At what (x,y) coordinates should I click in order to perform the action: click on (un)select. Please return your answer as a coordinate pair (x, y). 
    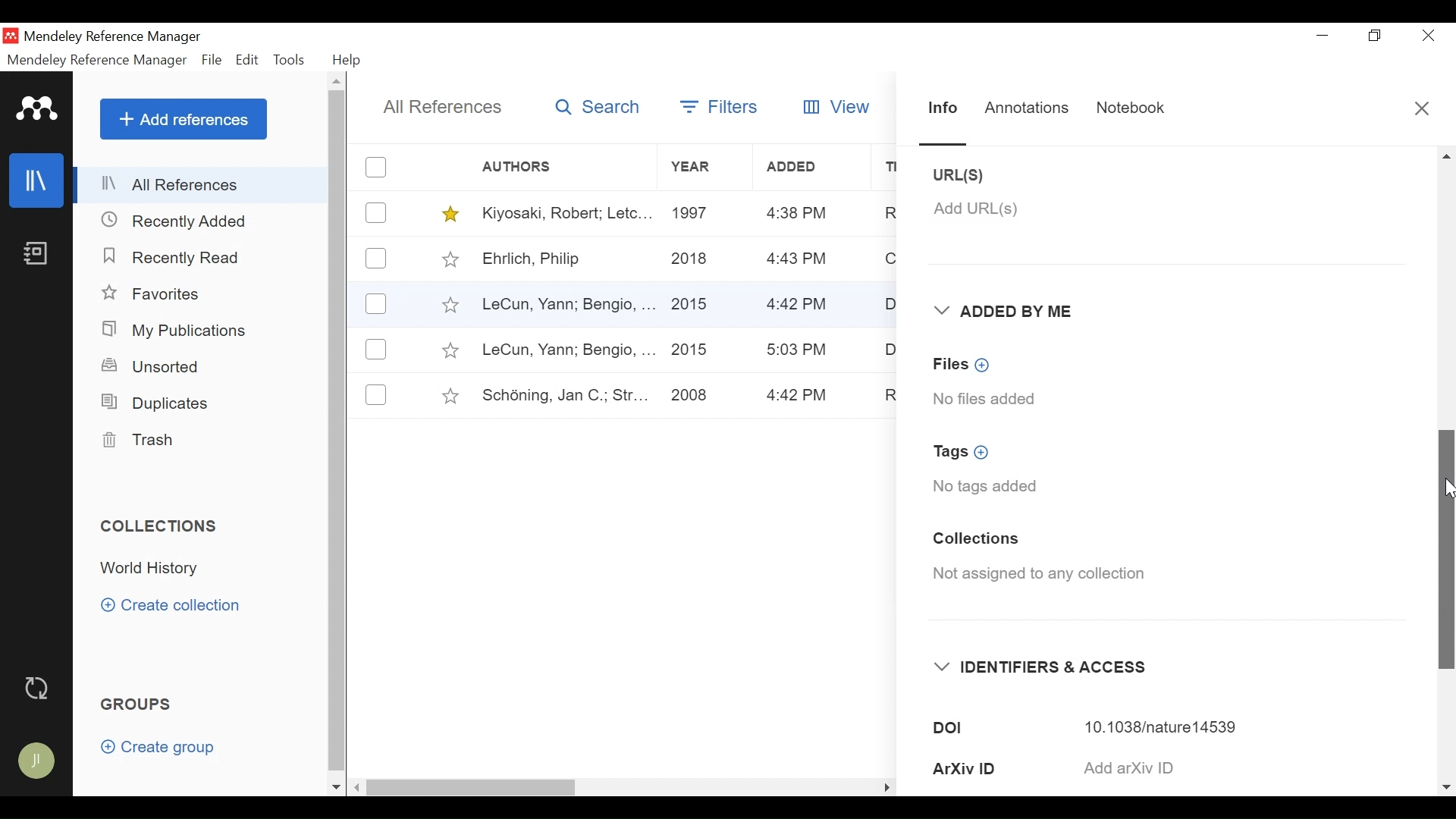
    Looking at the image, I should click on (376, 213).